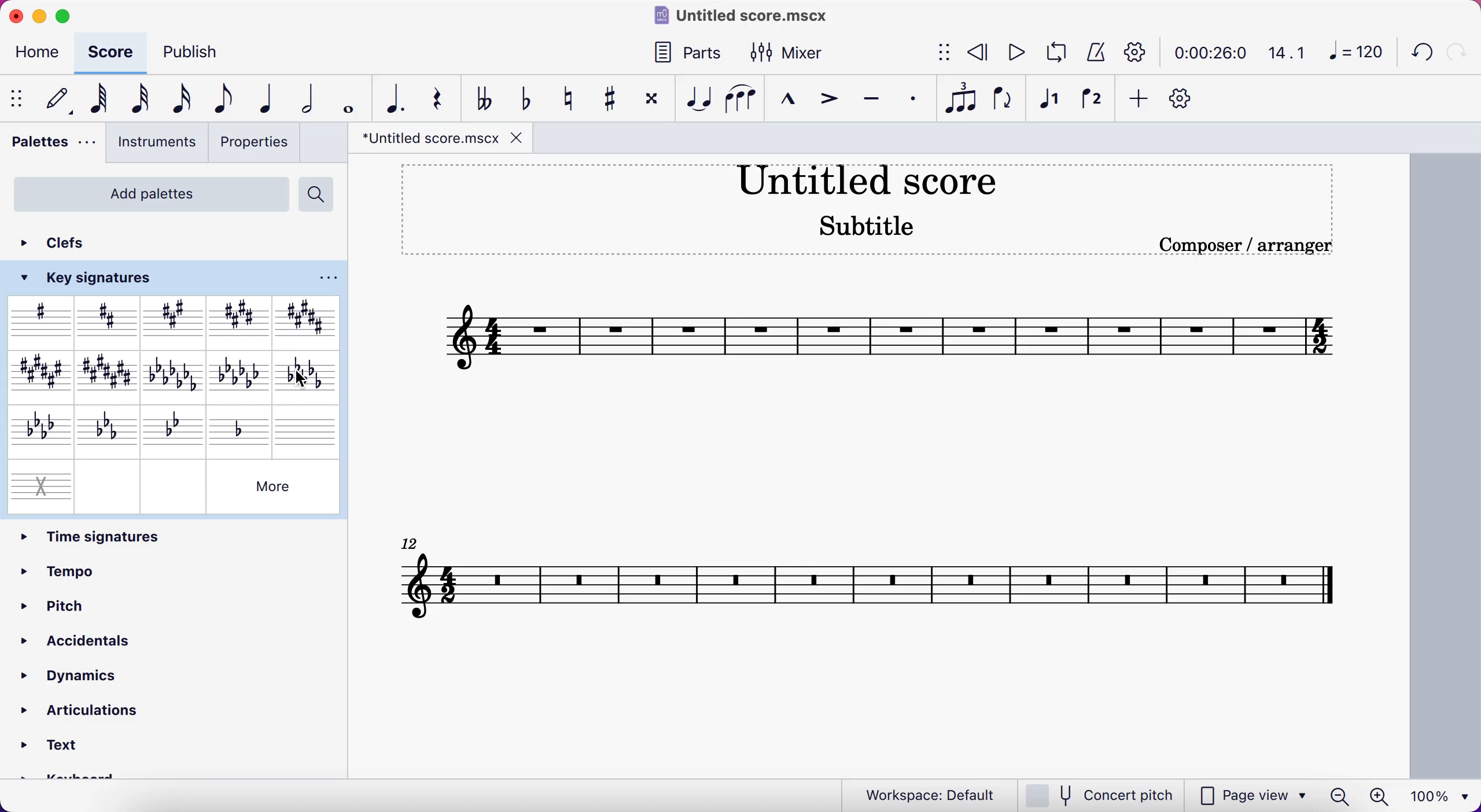 Image resolution: width=1481 pixels, height=812 pixels. Describe the element at coordinates (196, 52) in the screenshot. I see `publish` at that location.